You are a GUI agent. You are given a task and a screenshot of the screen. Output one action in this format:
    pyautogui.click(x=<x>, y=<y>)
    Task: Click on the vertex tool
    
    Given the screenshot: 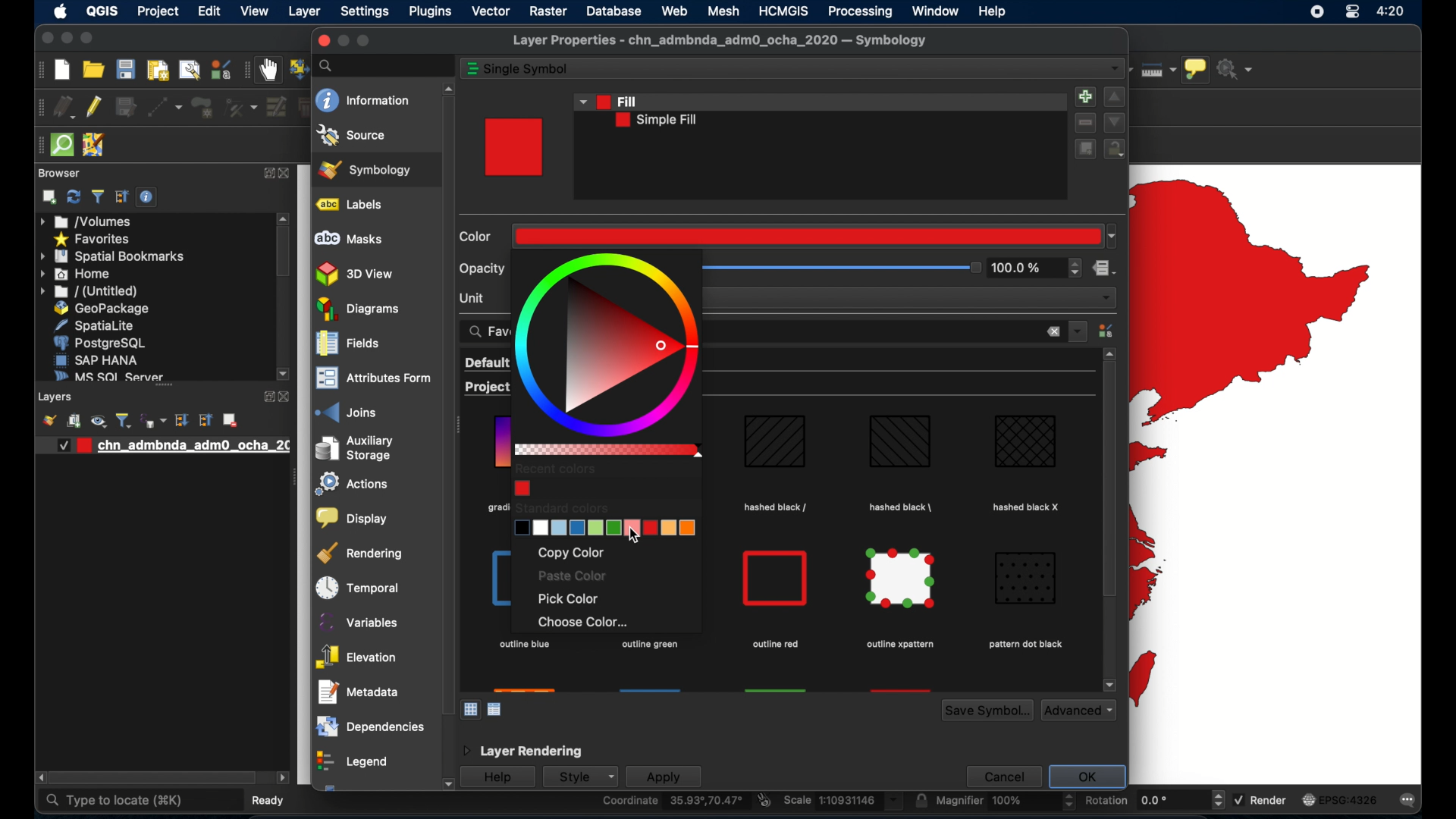 What is the action you would take?
    pyautogui.click(x=240, y=108)
    